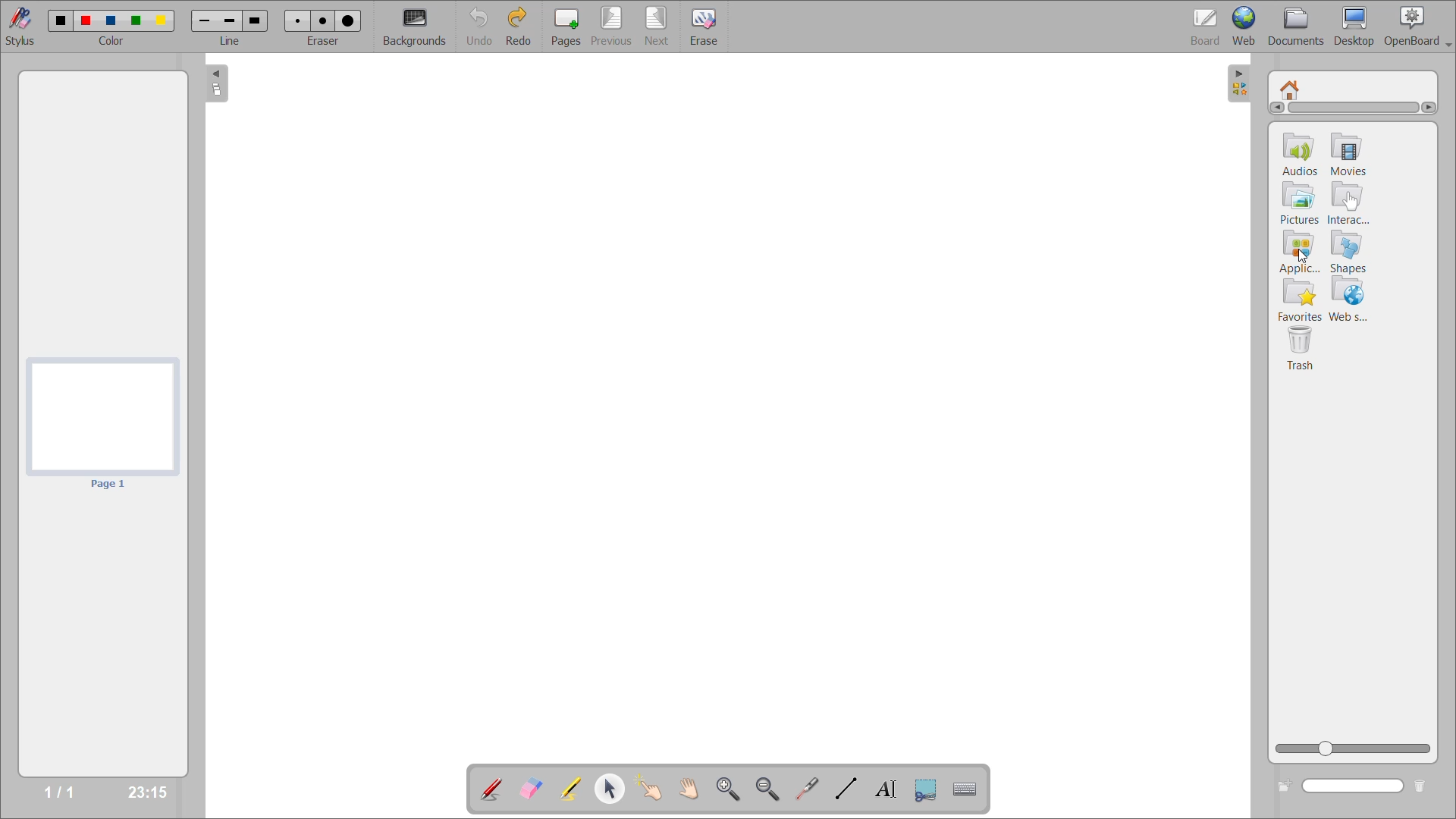  What do you see at coordinates (1301, 259) in the screenshot?
I see `cursor` at bounding box center [1301, 259].